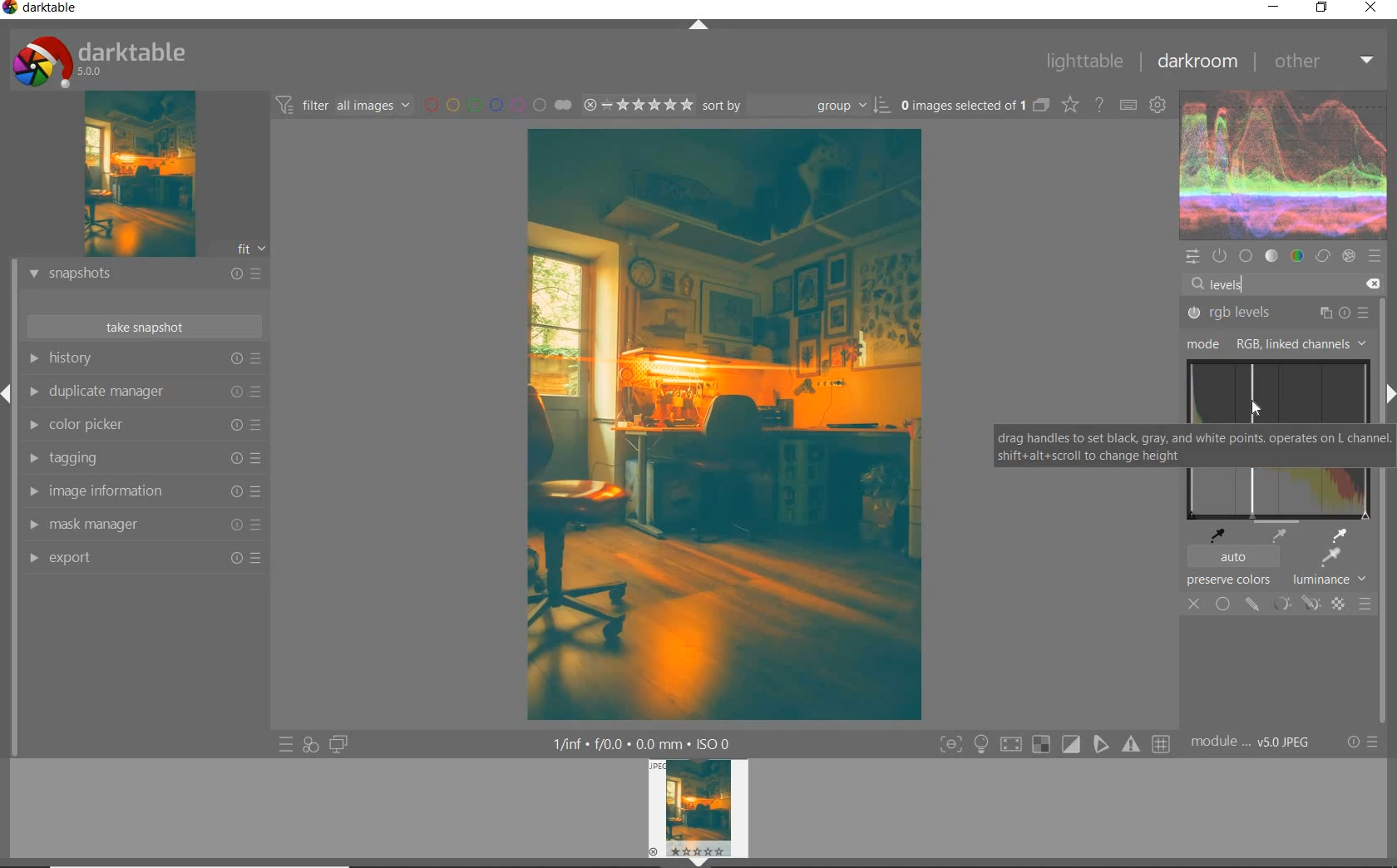 Image resolution: width=1397 pixels, height=868 pixels. I want to click on export, so click(143, 559).